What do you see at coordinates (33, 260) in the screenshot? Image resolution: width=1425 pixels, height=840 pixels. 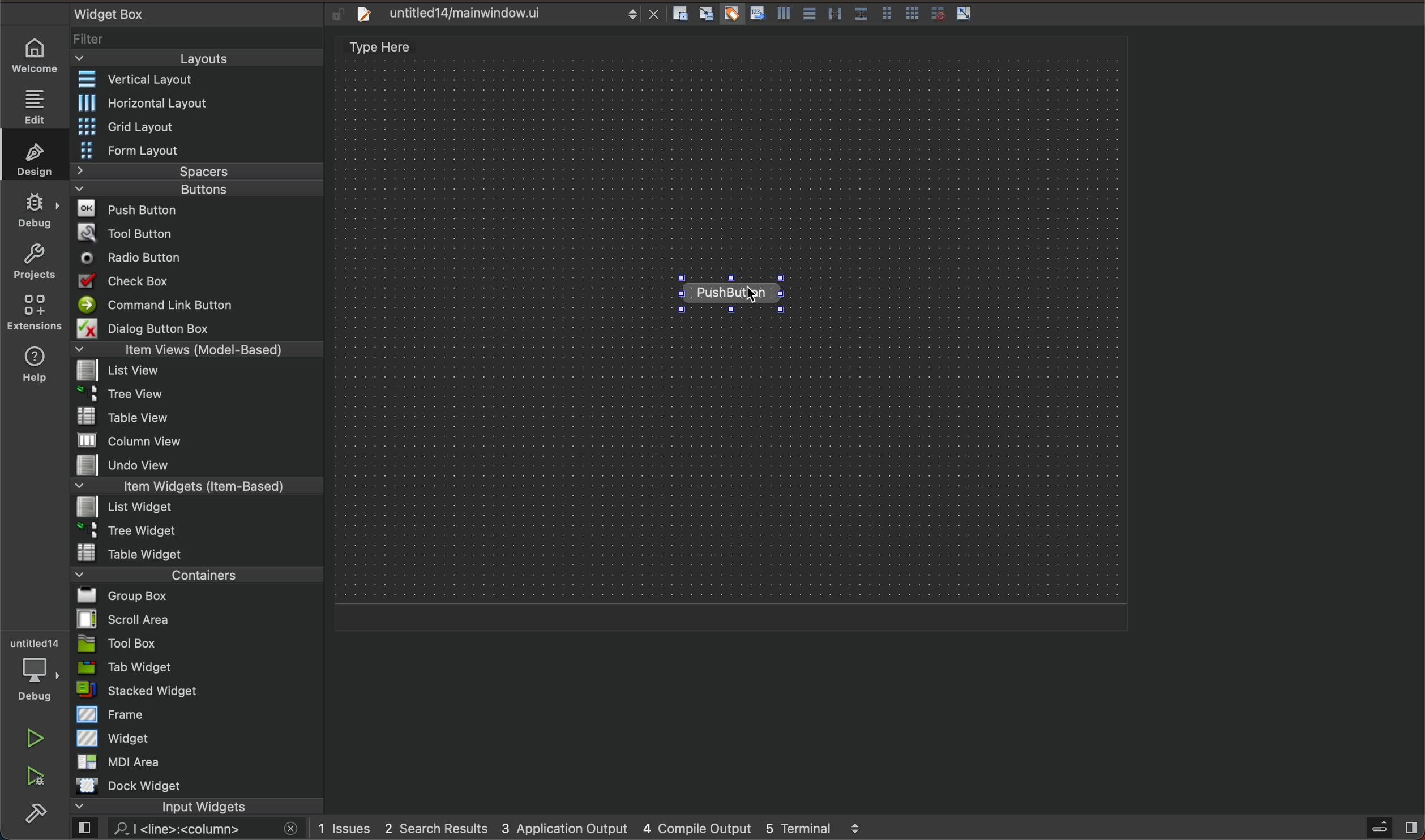 I see `projects` at bounding box center [33, 260].